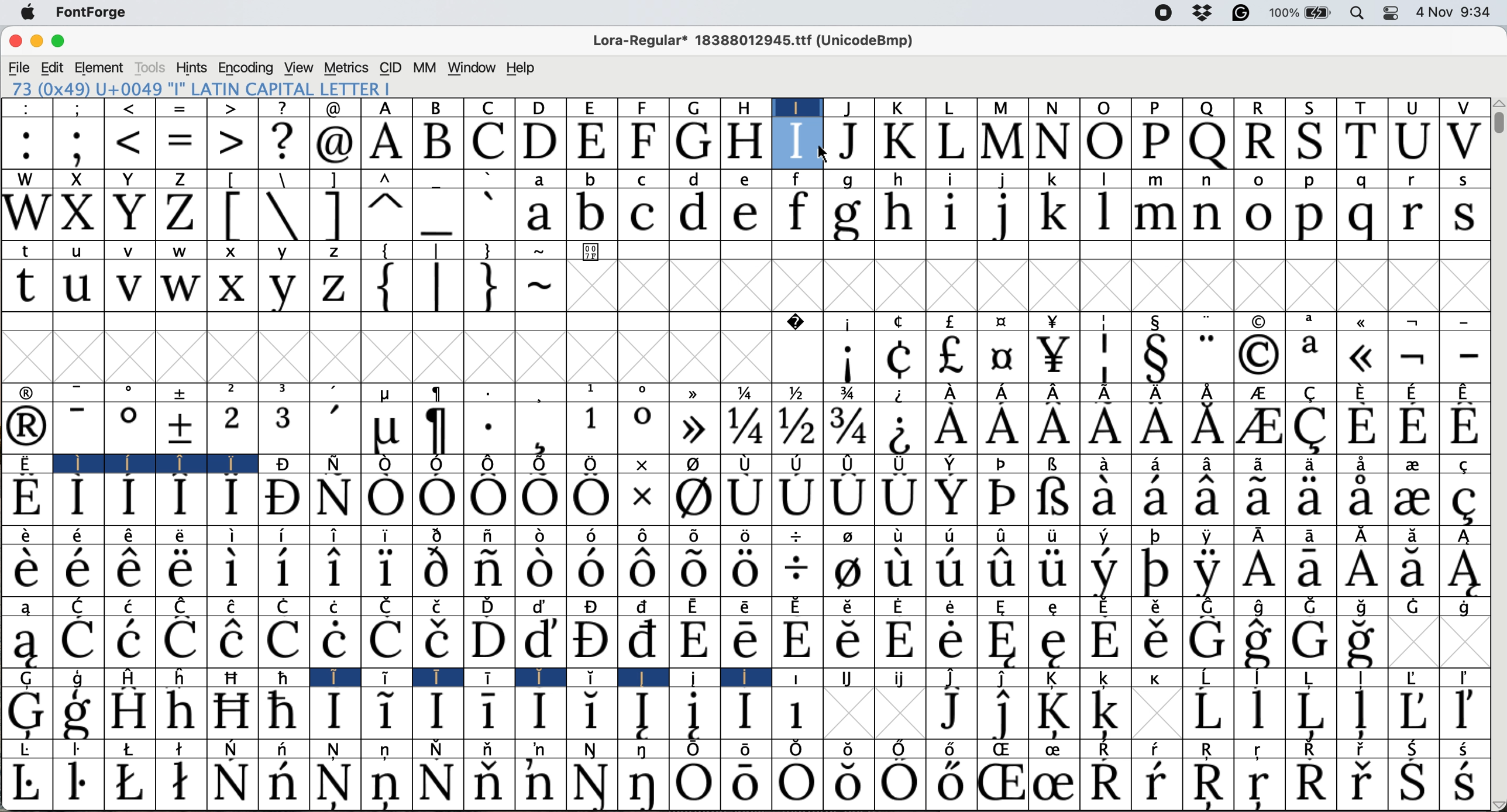 The width and height of the screenshot is (1507, 812). Describe the element at coordinates (335, 215) in the screenshot. I see `]` at that location.